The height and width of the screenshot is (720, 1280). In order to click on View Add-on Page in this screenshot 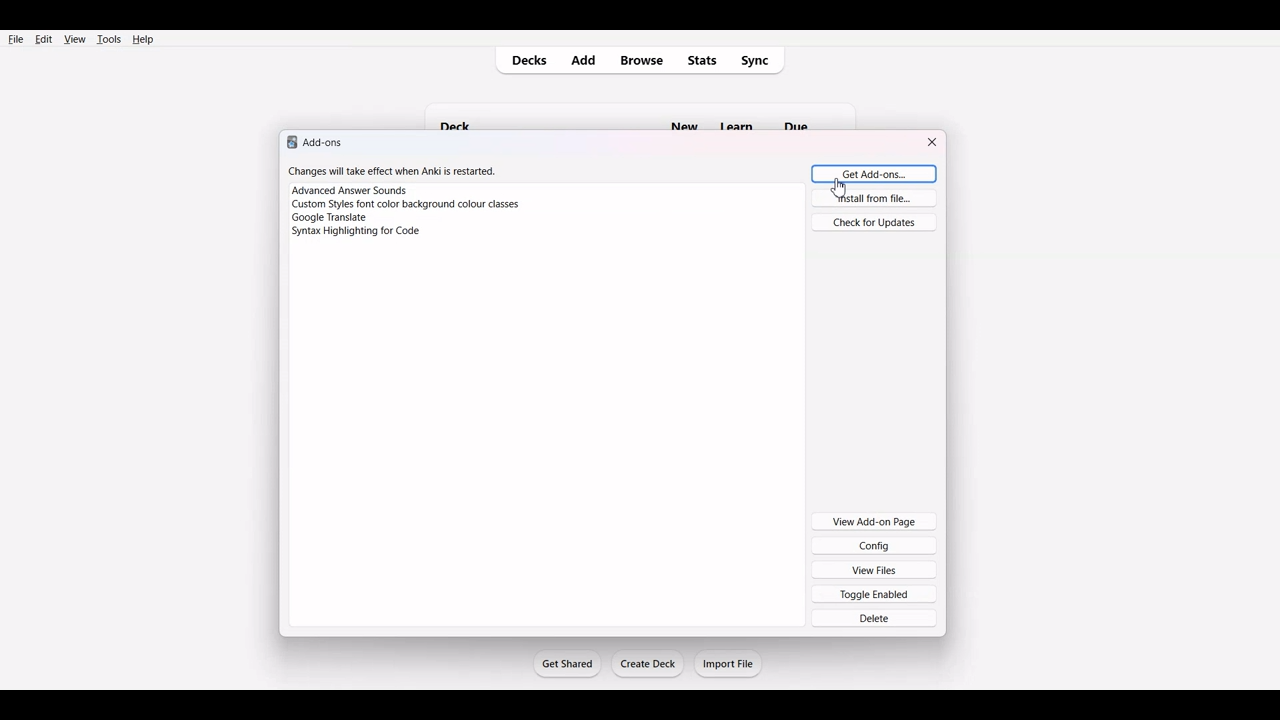, I will do `click(874, 520)`.